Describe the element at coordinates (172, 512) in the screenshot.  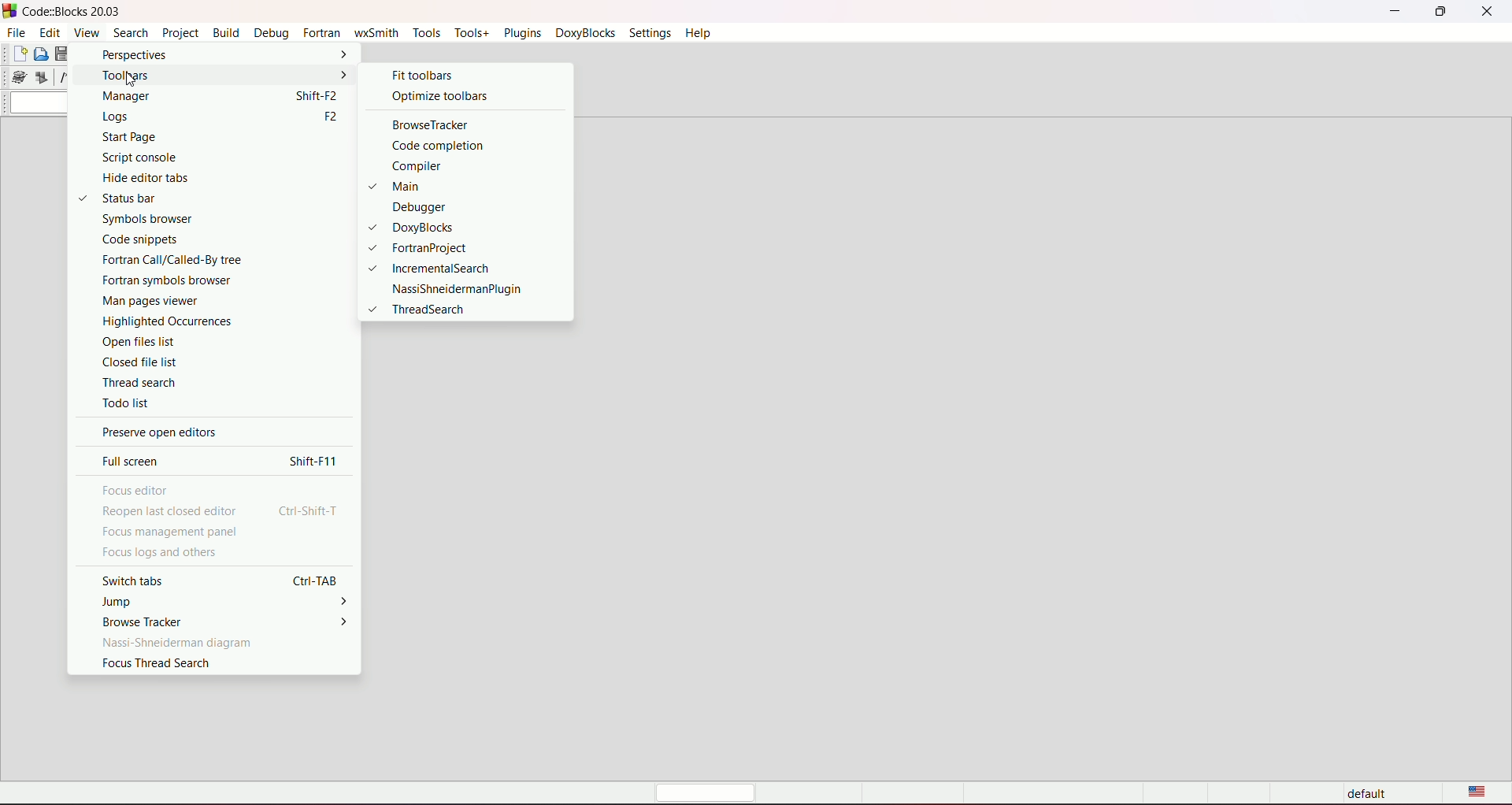
I see `reopen last closed editor` at that location.